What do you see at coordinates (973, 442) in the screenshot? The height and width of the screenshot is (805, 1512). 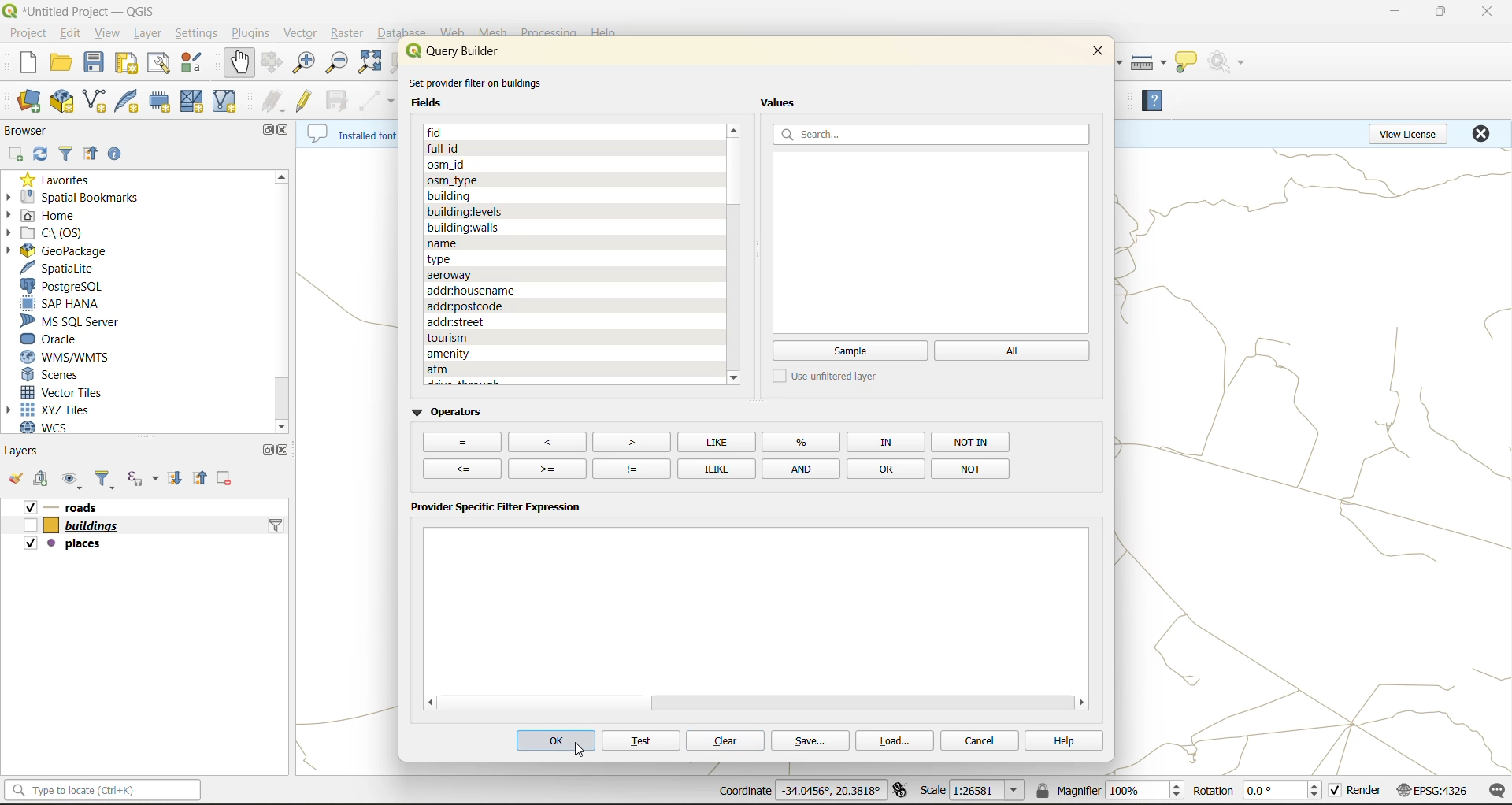 I see `opertators` at bounding box center [973, 442].